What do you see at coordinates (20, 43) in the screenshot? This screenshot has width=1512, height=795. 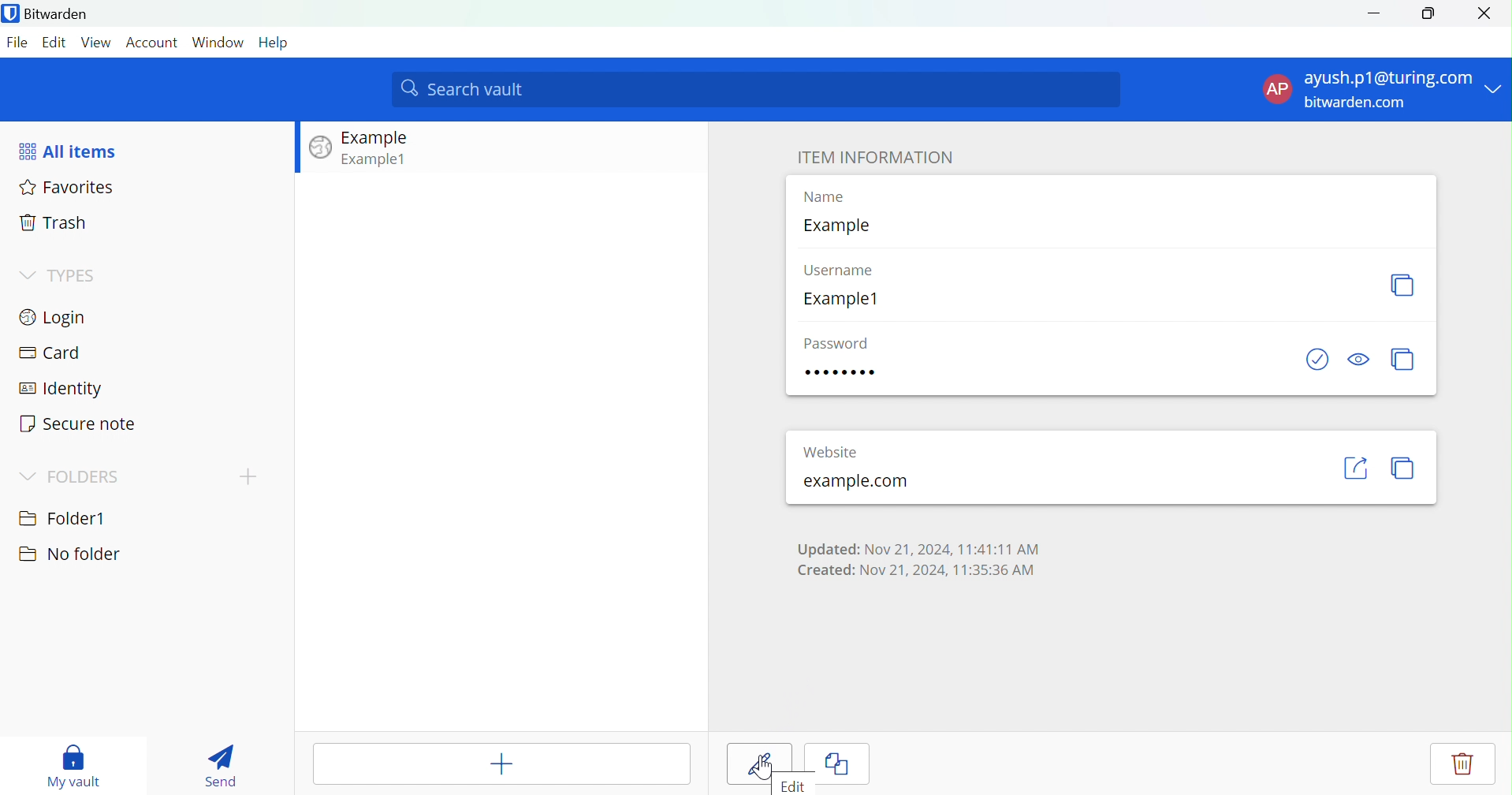 I see `File` at bounding box center [20, 43].